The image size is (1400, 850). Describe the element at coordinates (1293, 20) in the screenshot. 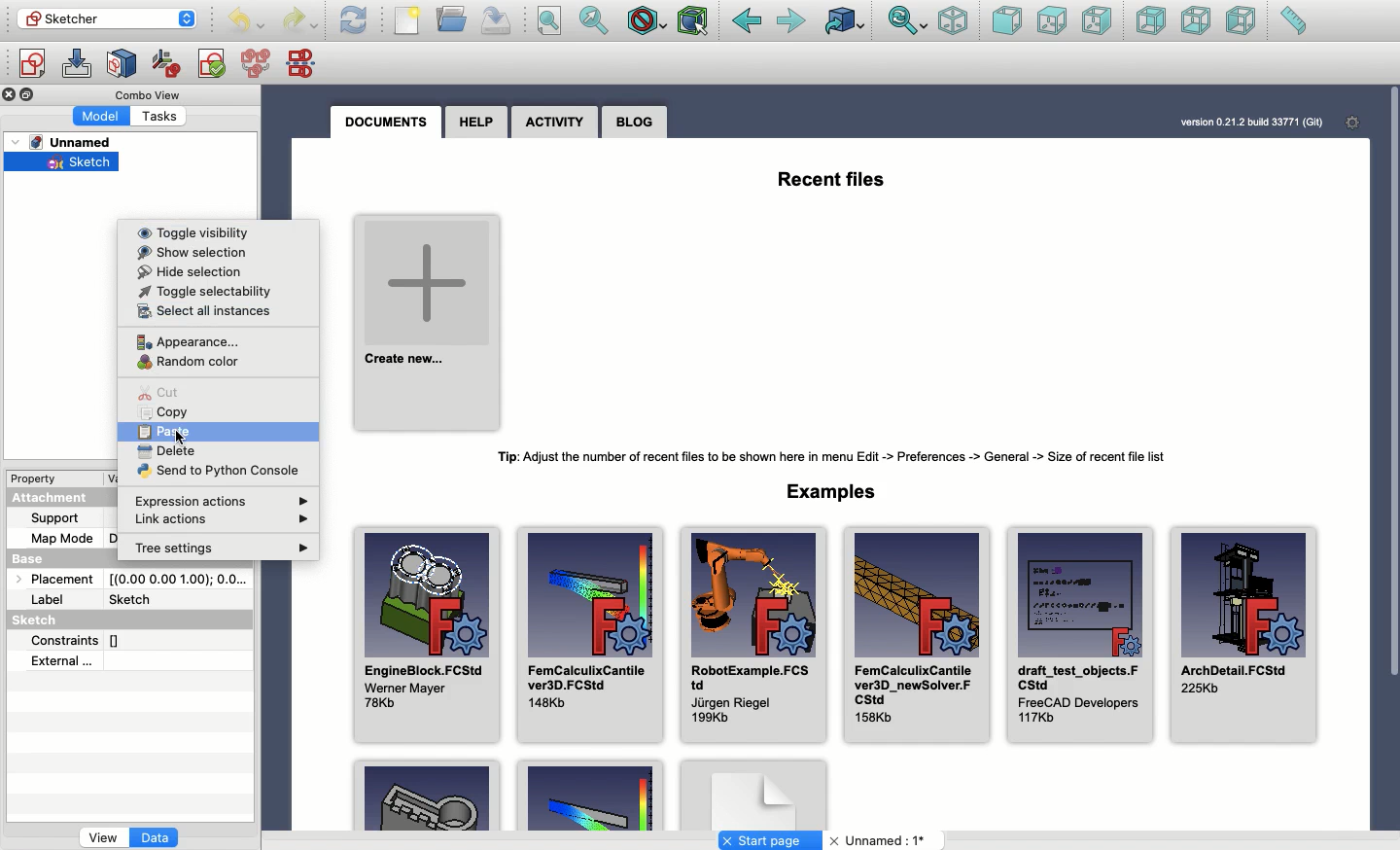

I see `Measure` at that location.